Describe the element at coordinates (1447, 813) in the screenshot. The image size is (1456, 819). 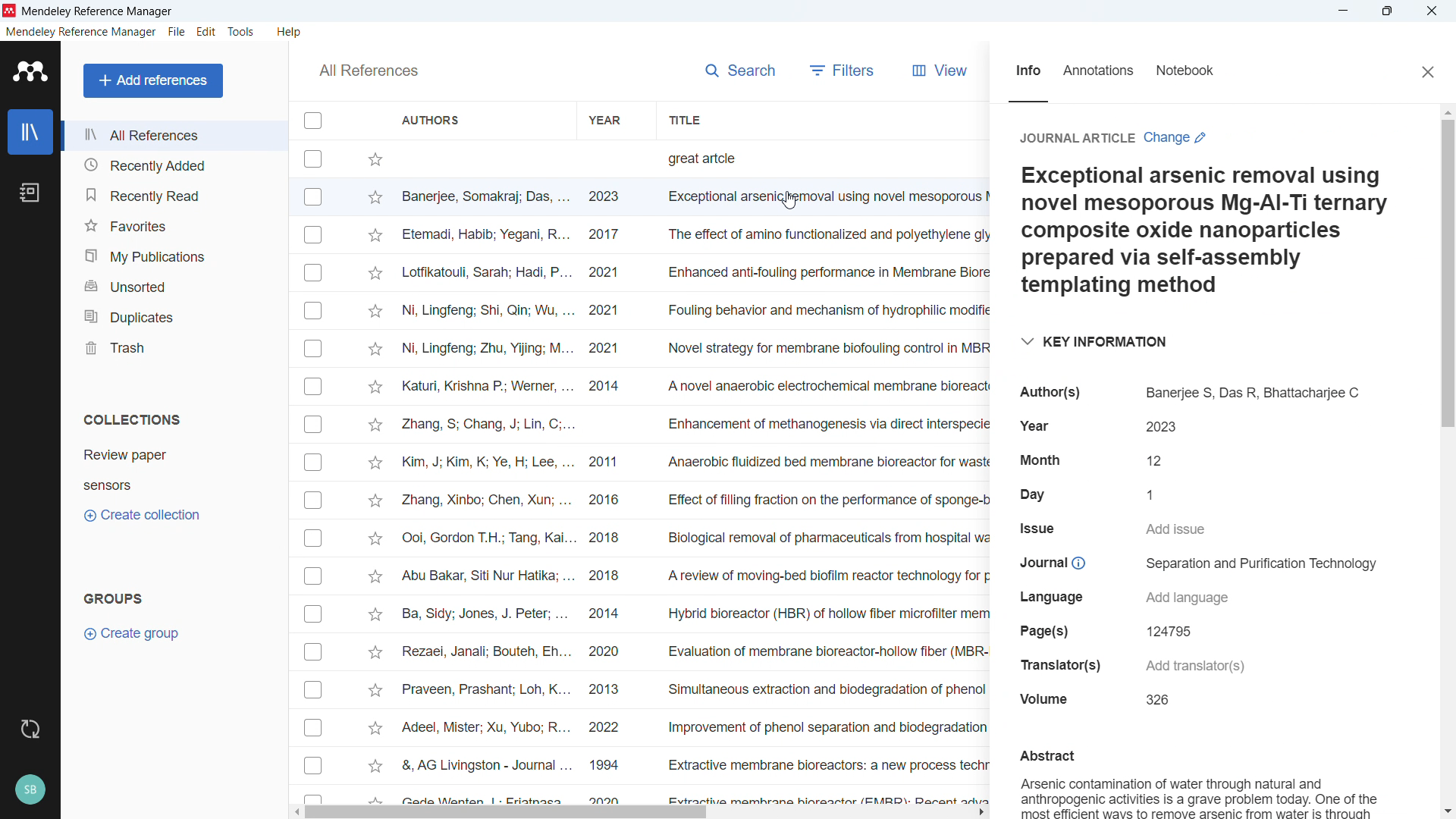
I see `Scroll down ` at that location.